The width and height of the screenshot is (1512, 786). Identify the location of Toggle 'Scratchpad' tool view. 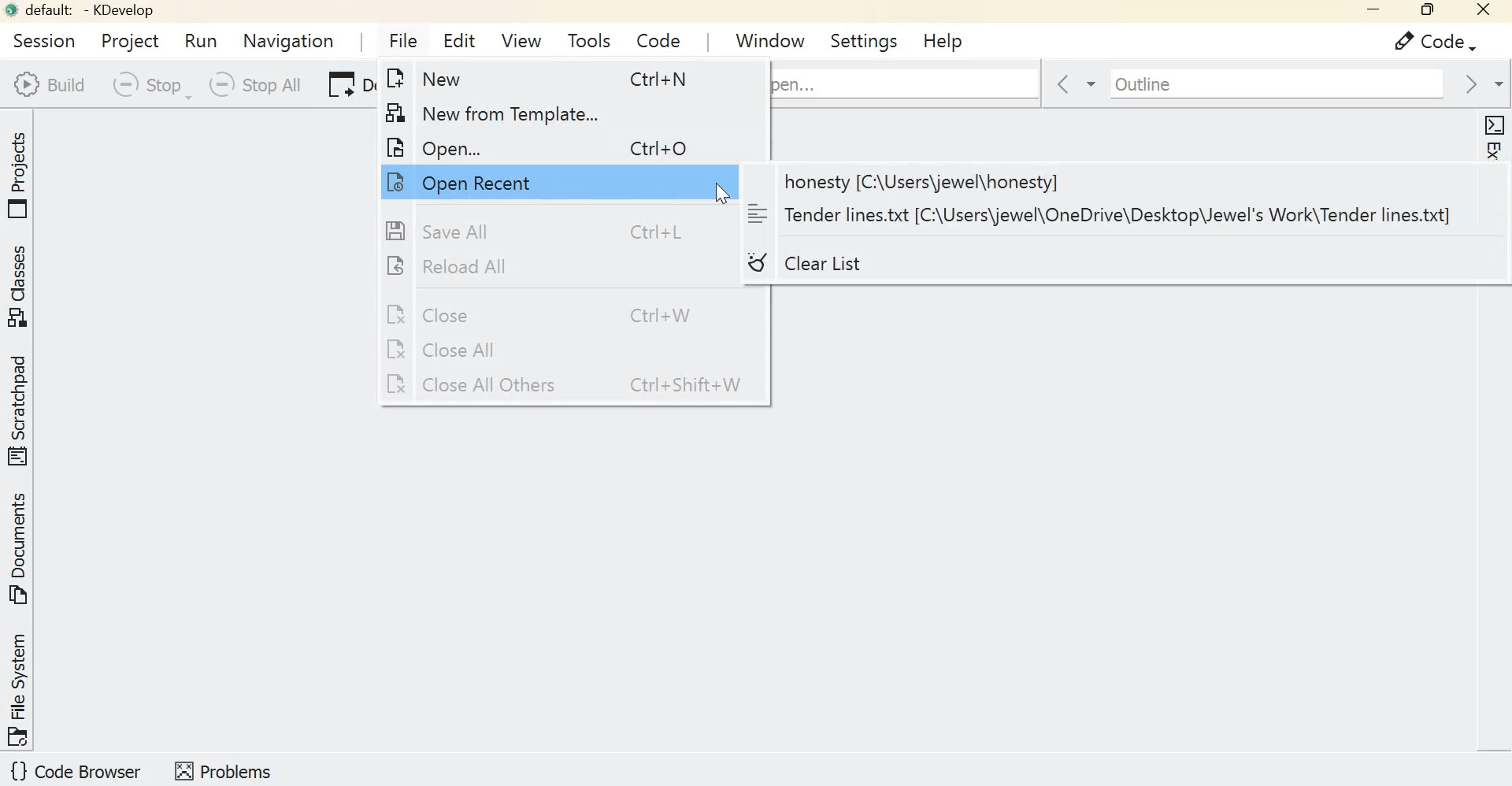
(21, 409).